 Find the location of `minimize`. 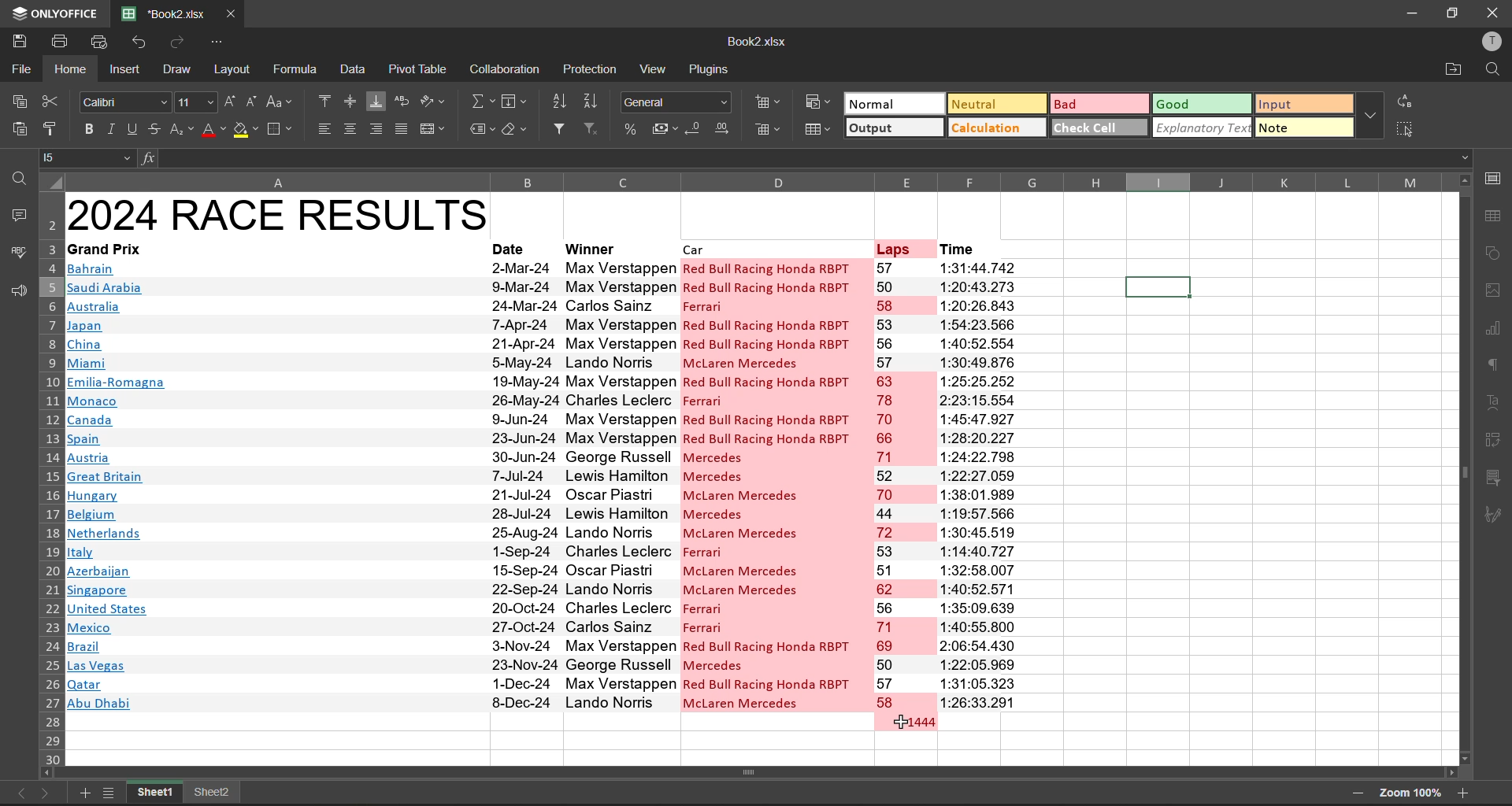

minimize is located at coordinates (1409, 14).